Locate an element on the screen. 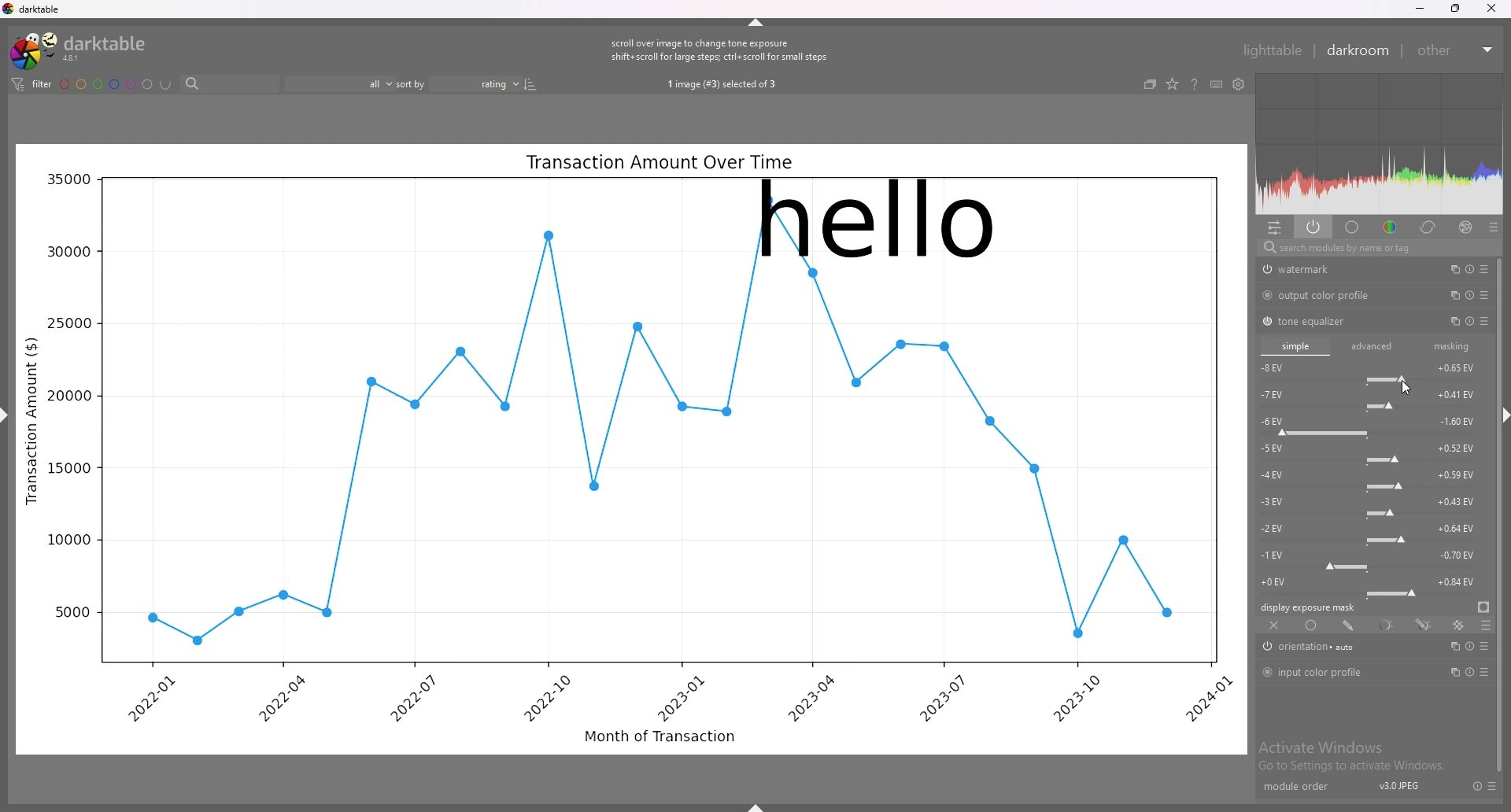 This screenshot has width=1511, height=812. 2022-01 is located at coordinates (157, 699).